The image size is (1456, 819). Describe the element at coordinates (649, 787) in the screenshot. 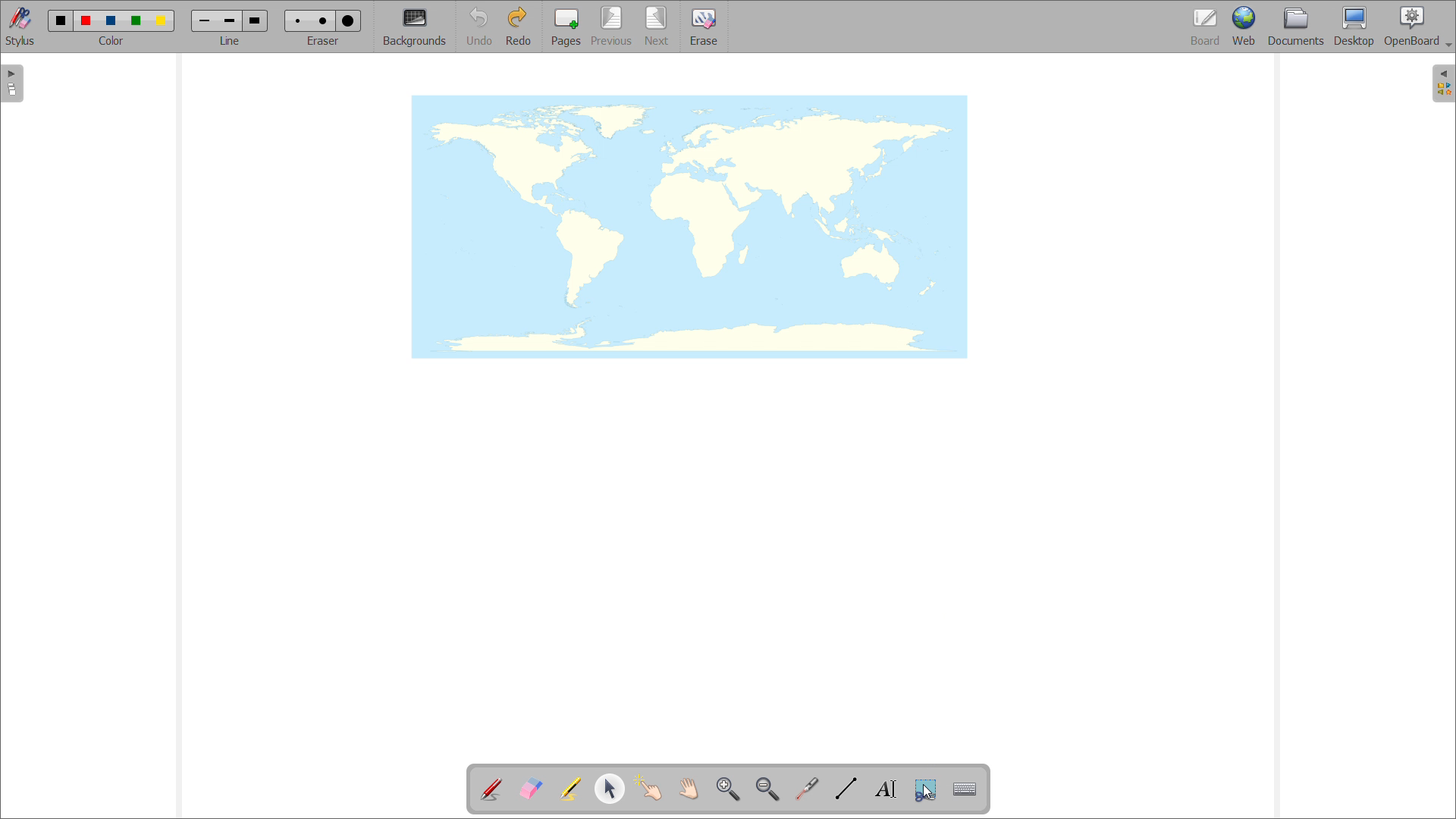

I see `interact with items` at that location.